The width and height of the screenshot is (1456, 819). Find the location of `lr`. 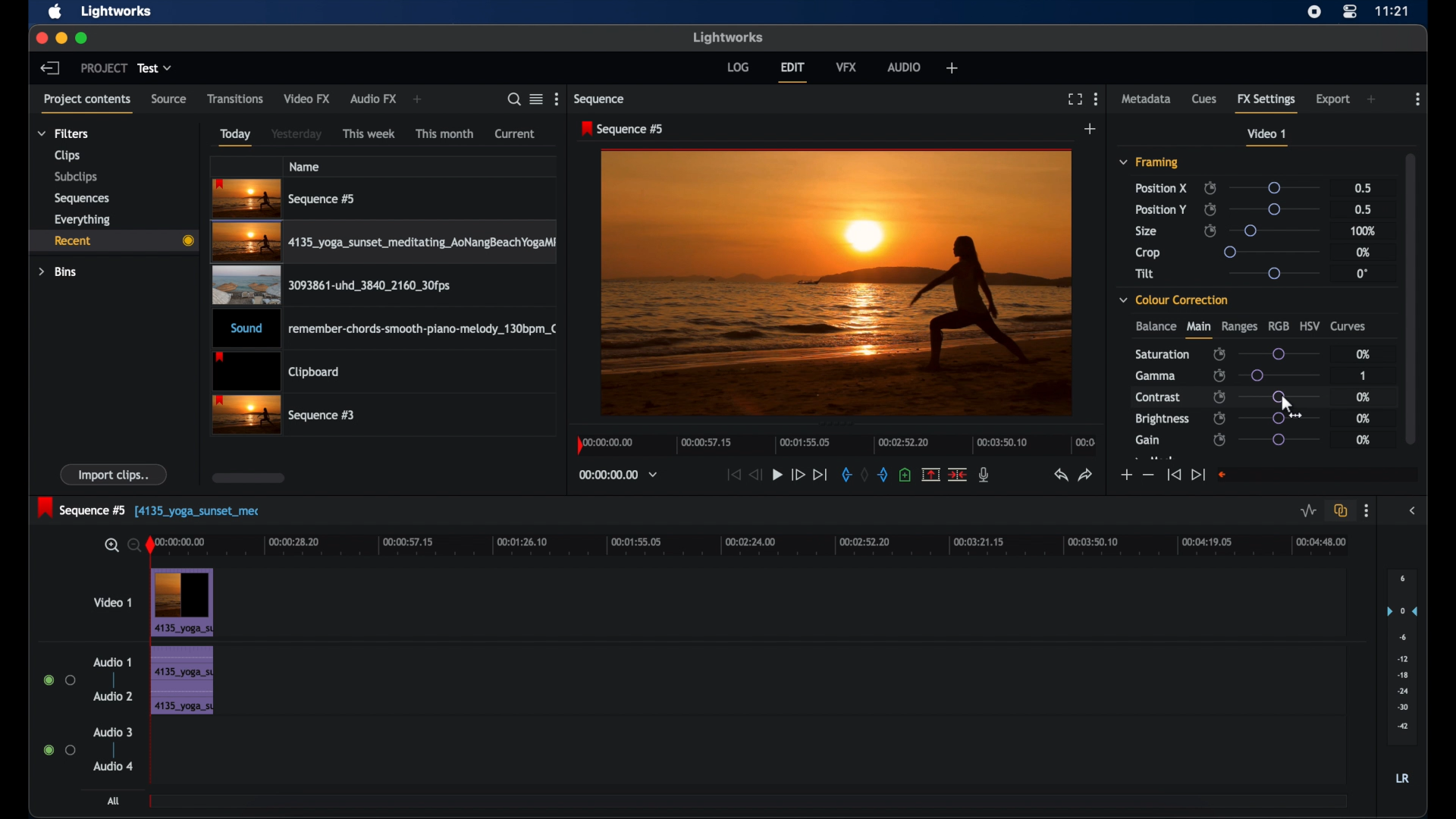

lr is located at coordinates (1402, 778).